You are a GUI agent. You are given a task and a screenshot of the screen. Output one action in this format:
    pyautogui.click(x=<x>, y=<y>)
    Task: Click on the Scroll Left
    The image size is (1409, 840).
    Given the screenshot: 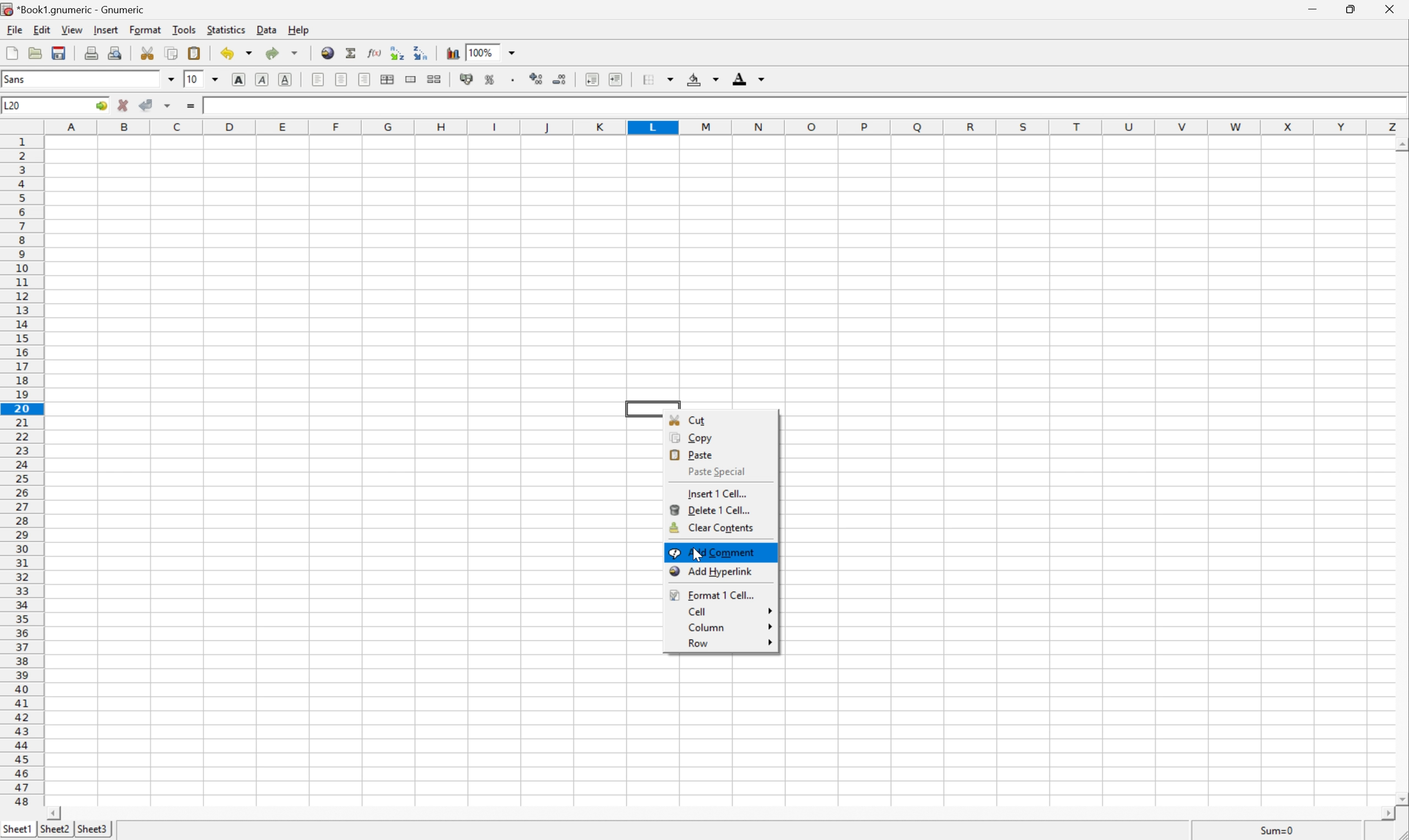 What is the action you would take?
    pyautogui.click(x=55, y=813)
    